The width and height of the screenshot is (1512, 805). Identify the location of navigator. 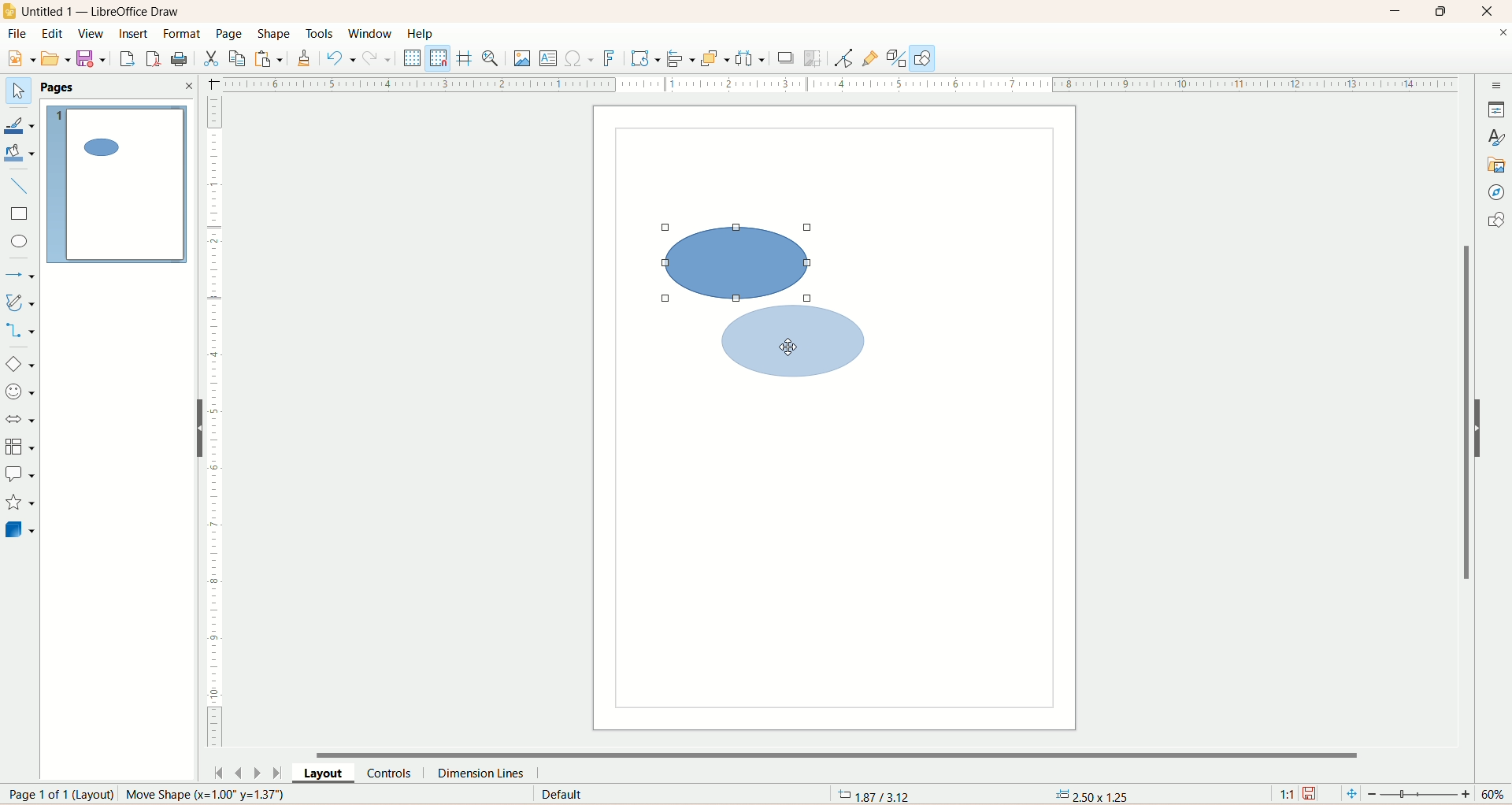
(1499, 194).